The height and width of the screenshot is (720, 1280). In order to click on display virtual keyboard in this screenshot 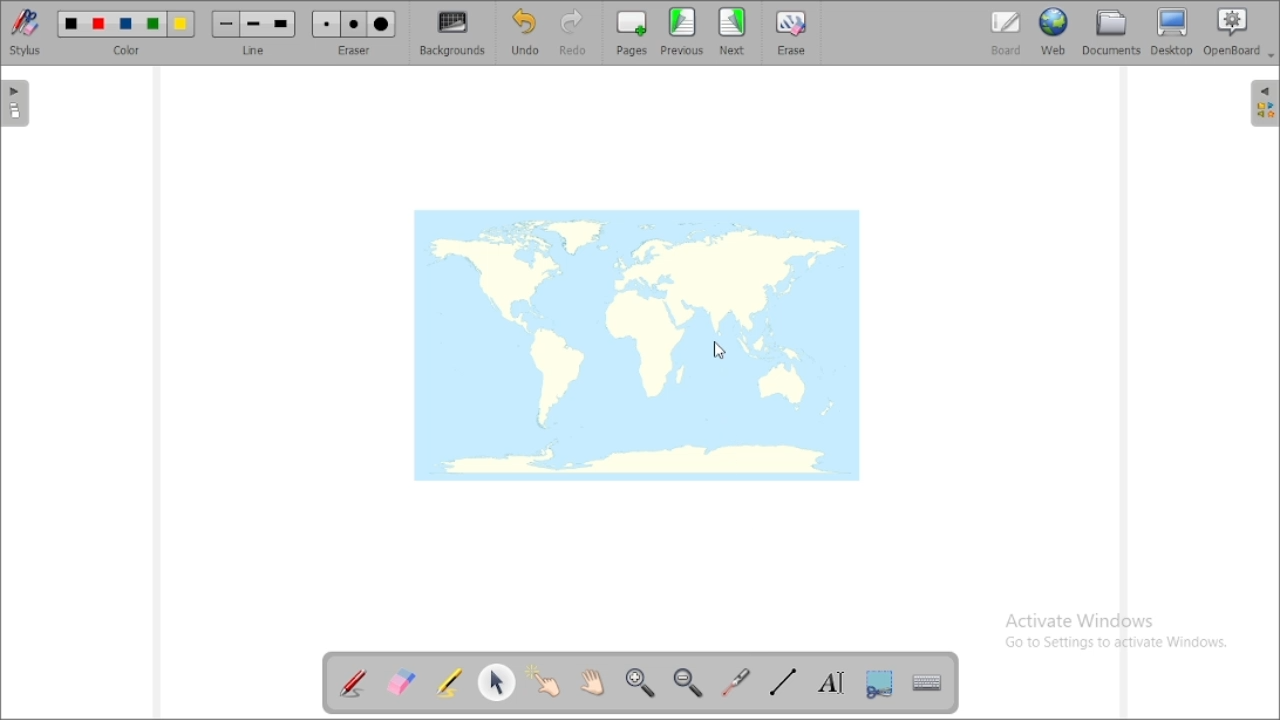, I will do `click(928, 682)`.